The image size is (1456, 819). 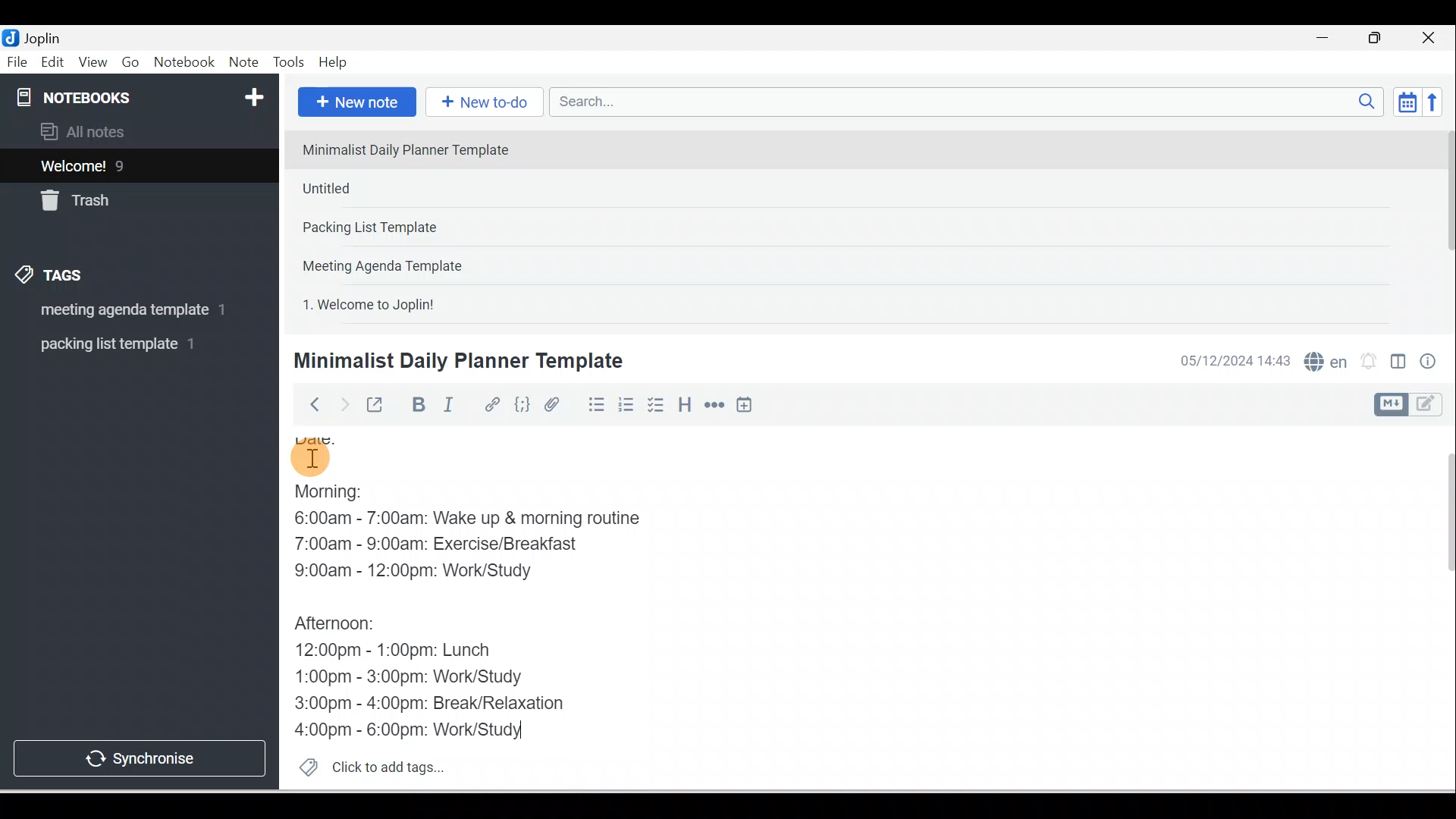 I want to click on Tag 2, so click(x=128, y=344).